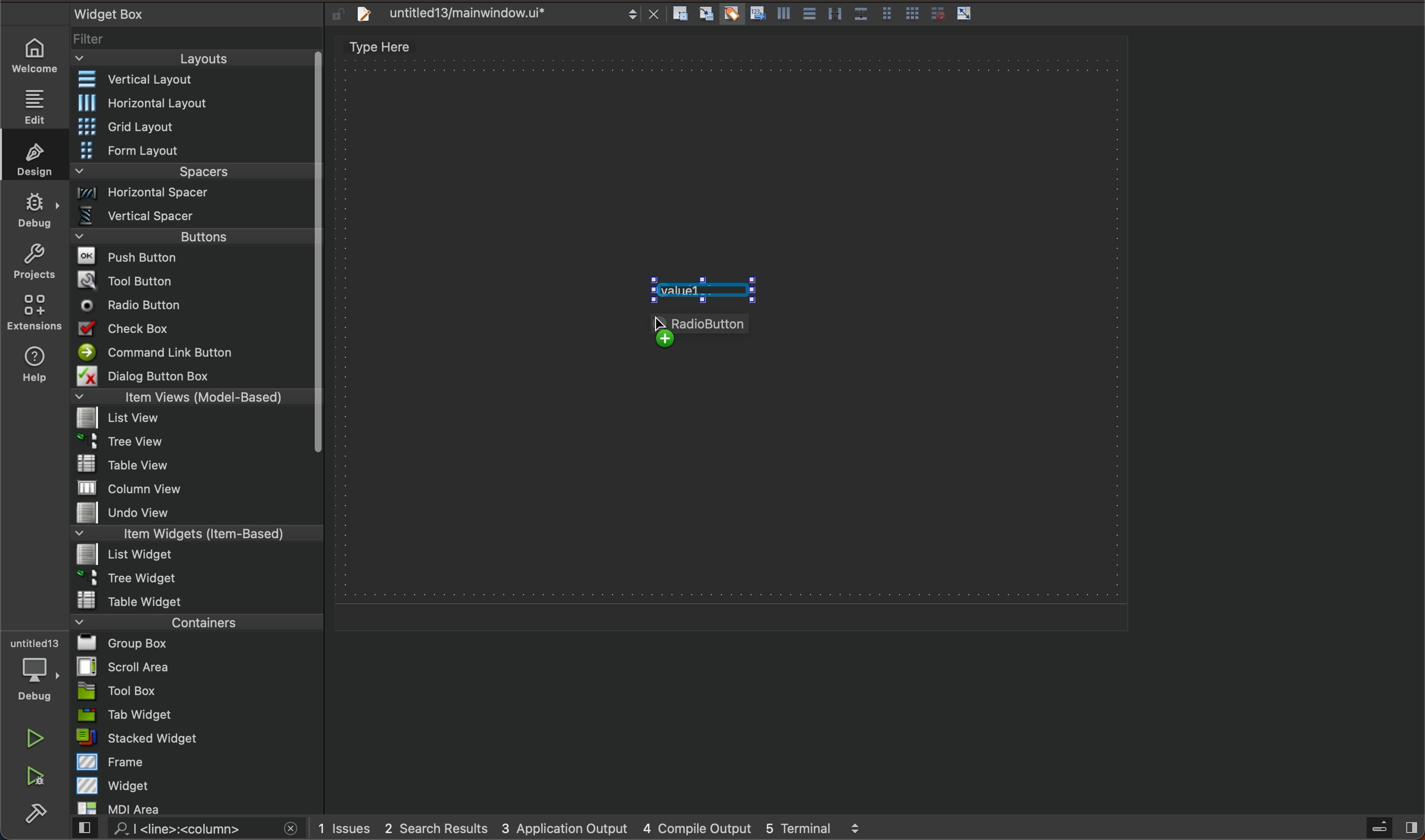  Describe the element at coordinates (808, 15) in the screenshot. I see `` at that location.